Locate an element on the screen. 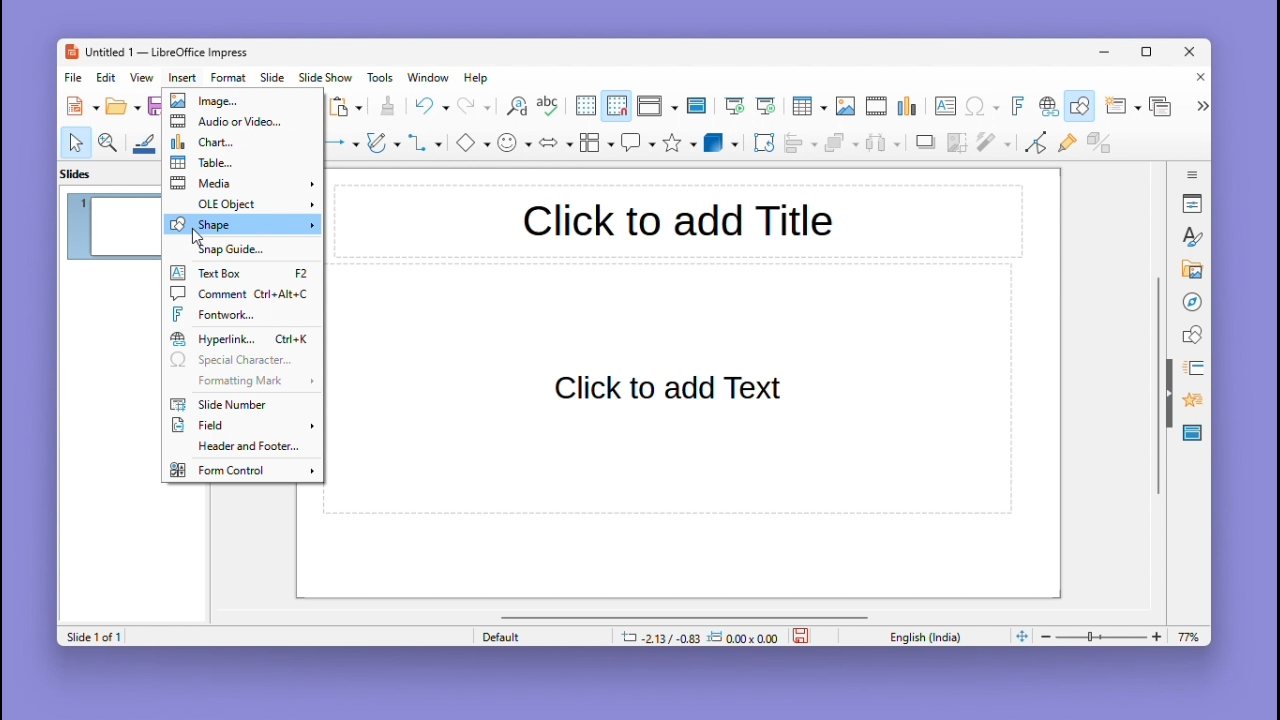 Image resolution: width=1280 pixels, height=720 pixels. spelling is located at coordinates (548, 107).